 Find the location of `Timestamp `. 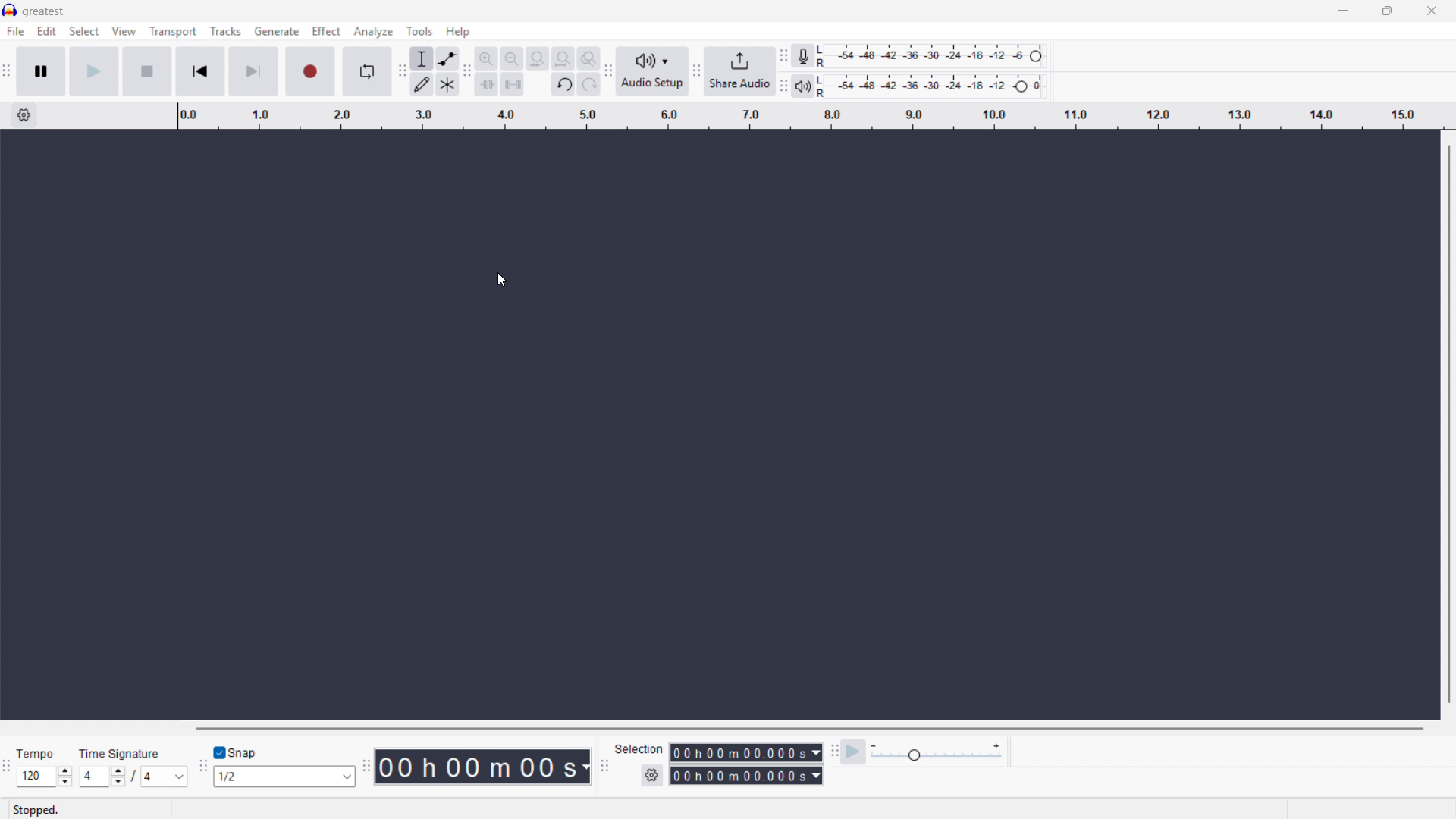

Timestamp  is located at coordinates (484, 767).